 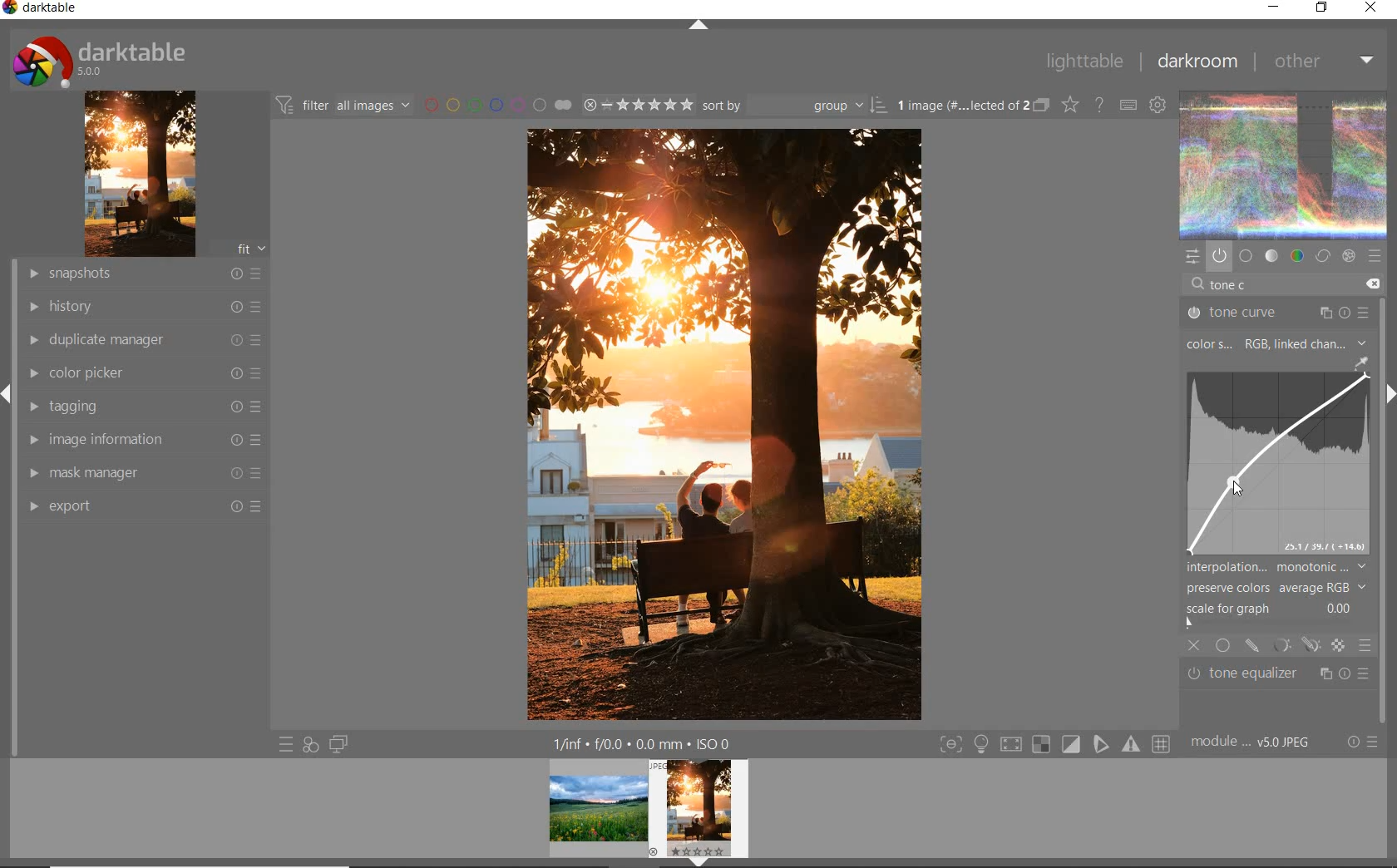 I want to click on restore, so click(x=1324, y=8).